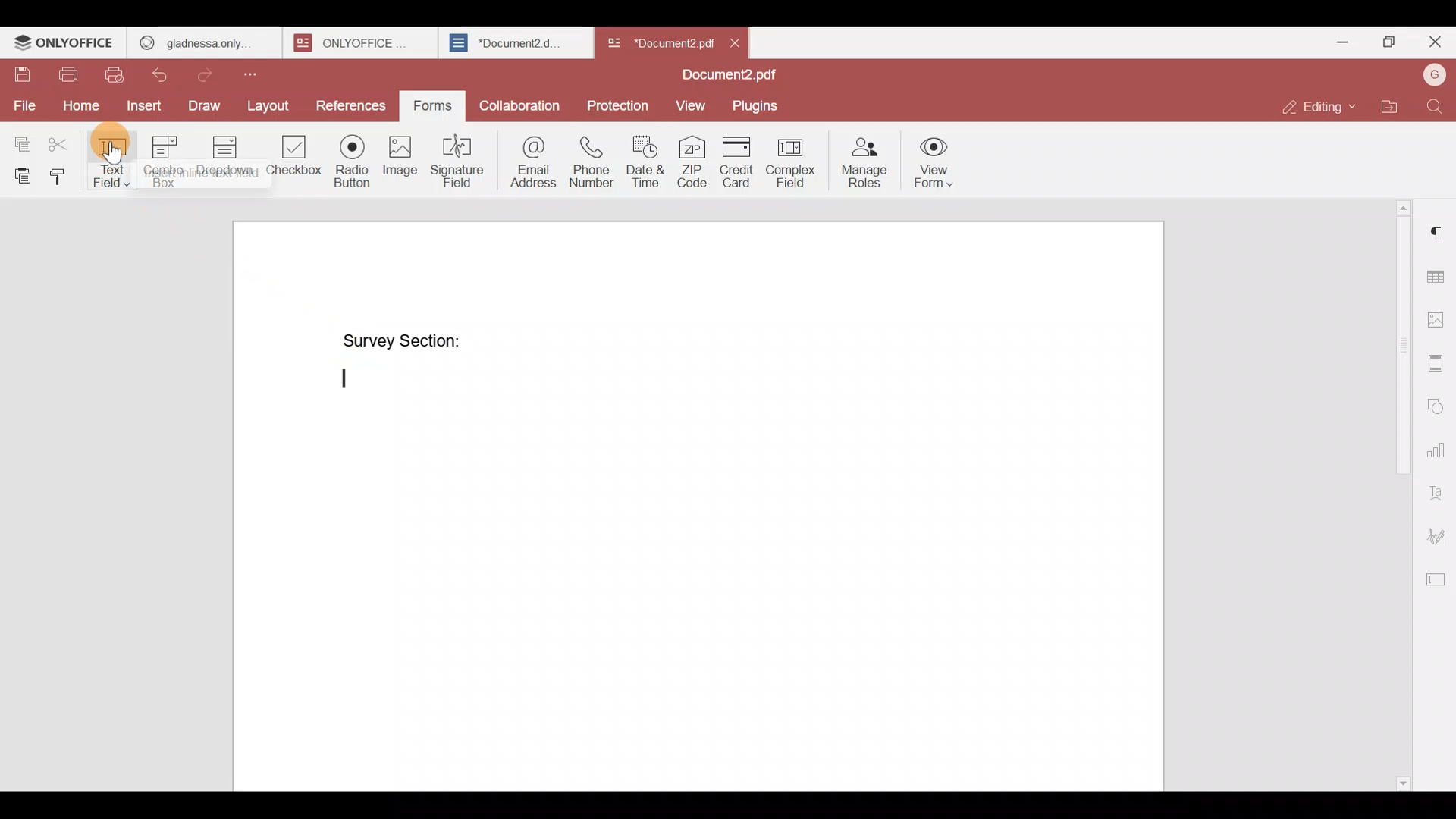 The width and height of the screenshot is (1456, 819). What do you see at coordinates (15, 69) in the screenshot?
I see `Save` at bounding box center [15, 69].